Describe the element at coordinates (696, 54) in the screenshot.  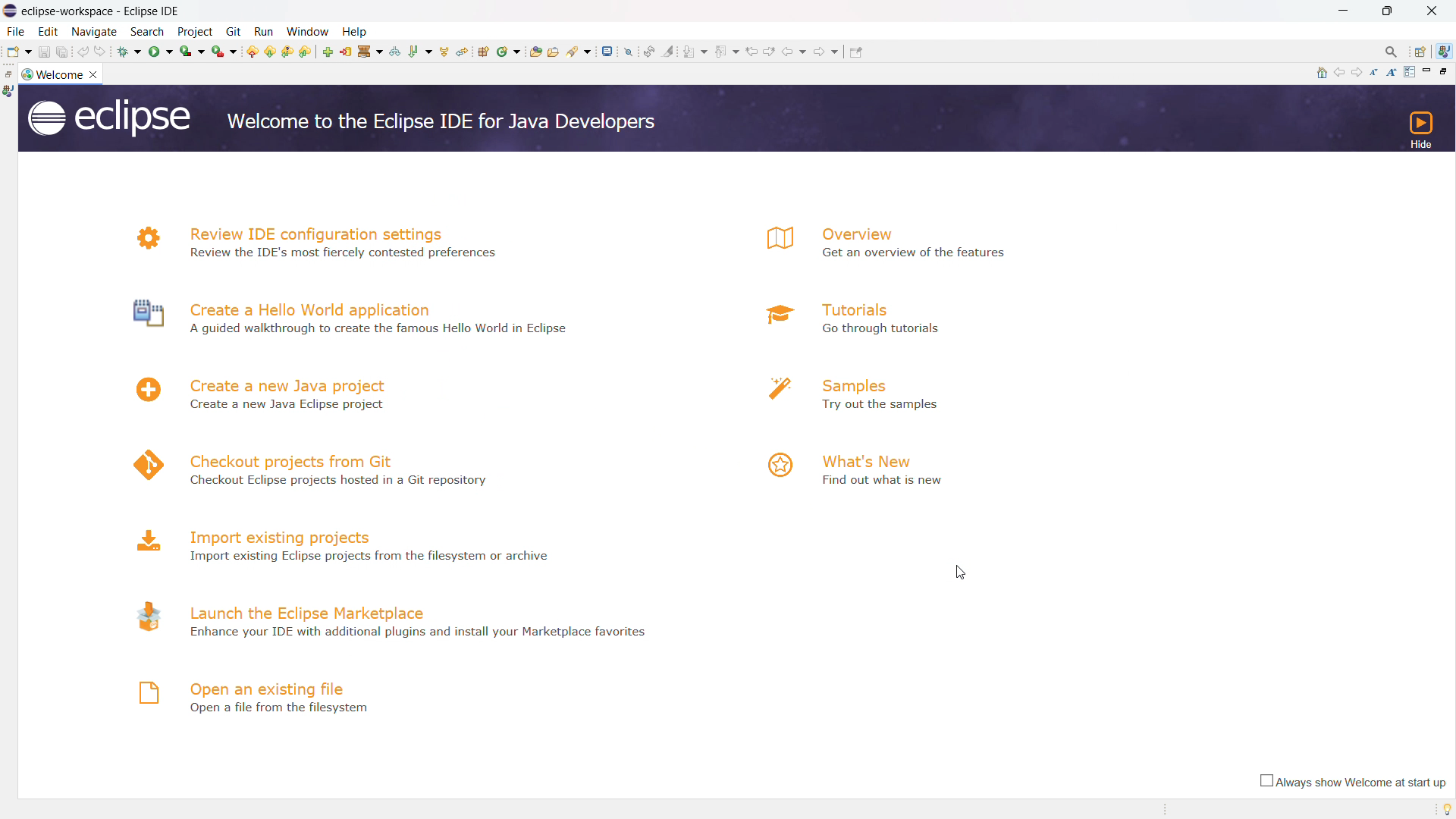
I see `next annotation` at that location.